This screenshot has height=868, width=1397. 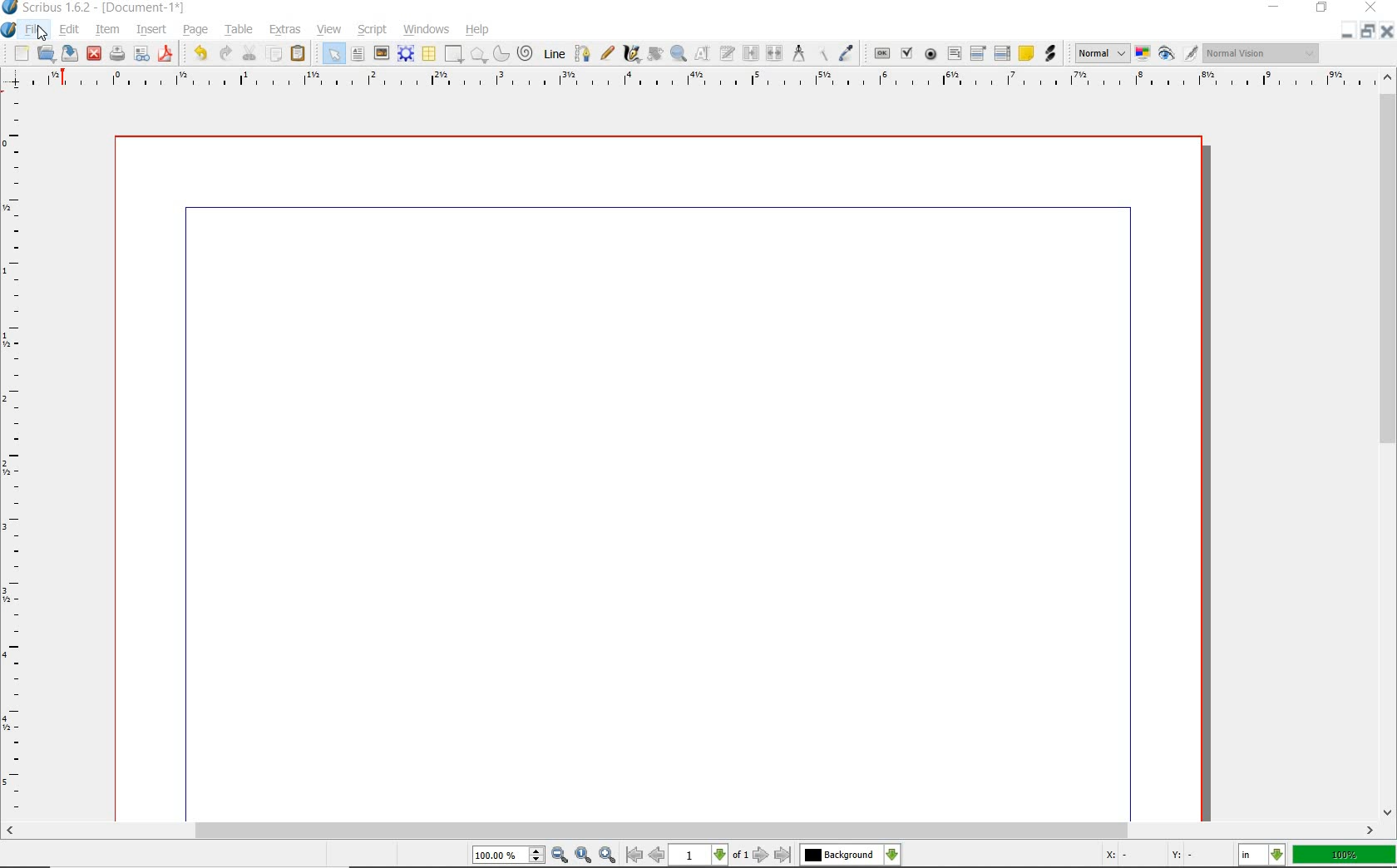 I want to click on restore, so click(x=1369, y=33).